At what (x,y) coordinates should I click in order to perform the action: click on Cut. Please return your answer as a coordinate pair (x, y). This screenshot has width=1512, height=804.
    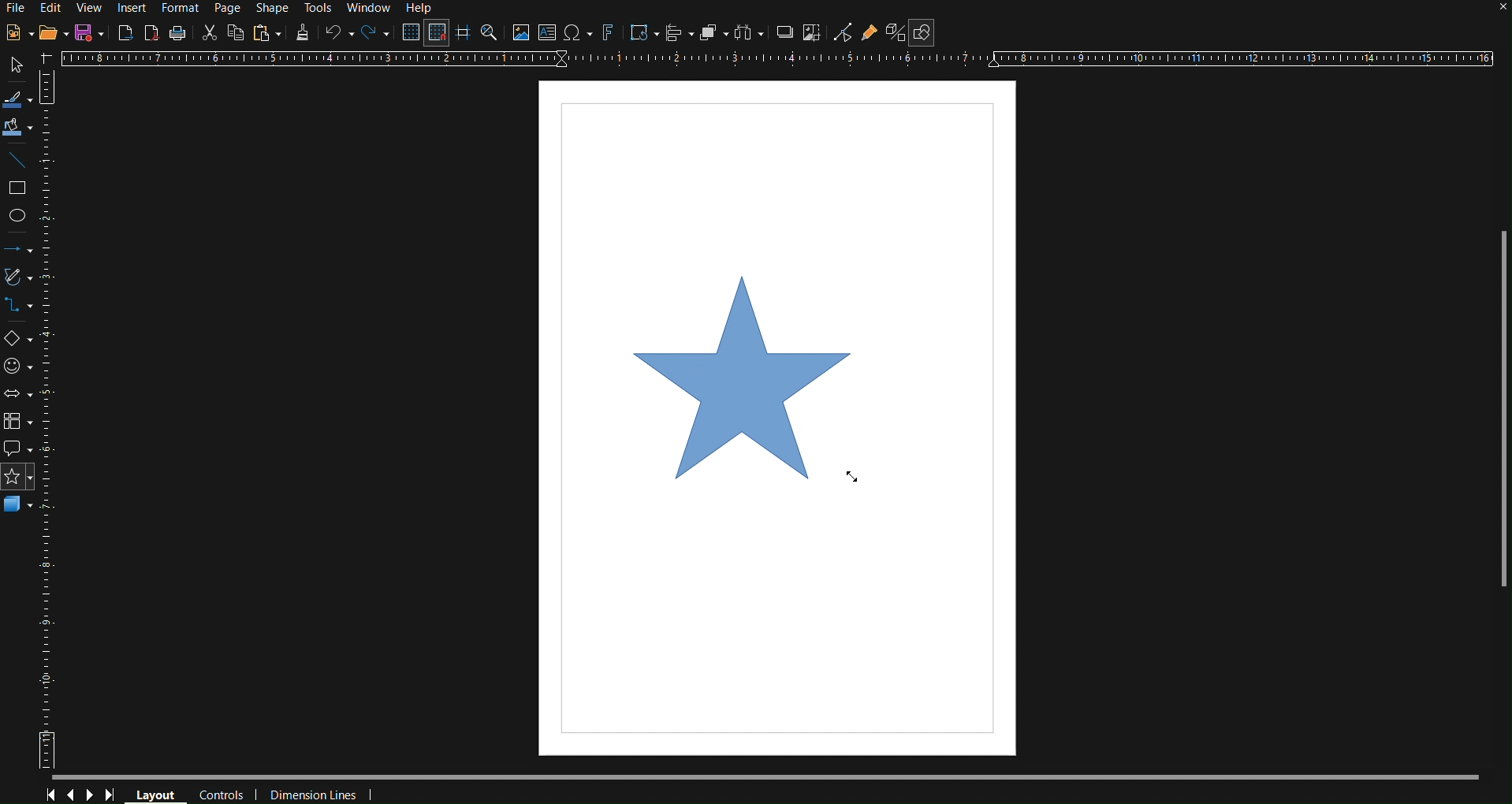
    Looking at the image, I should click on (207, 32).